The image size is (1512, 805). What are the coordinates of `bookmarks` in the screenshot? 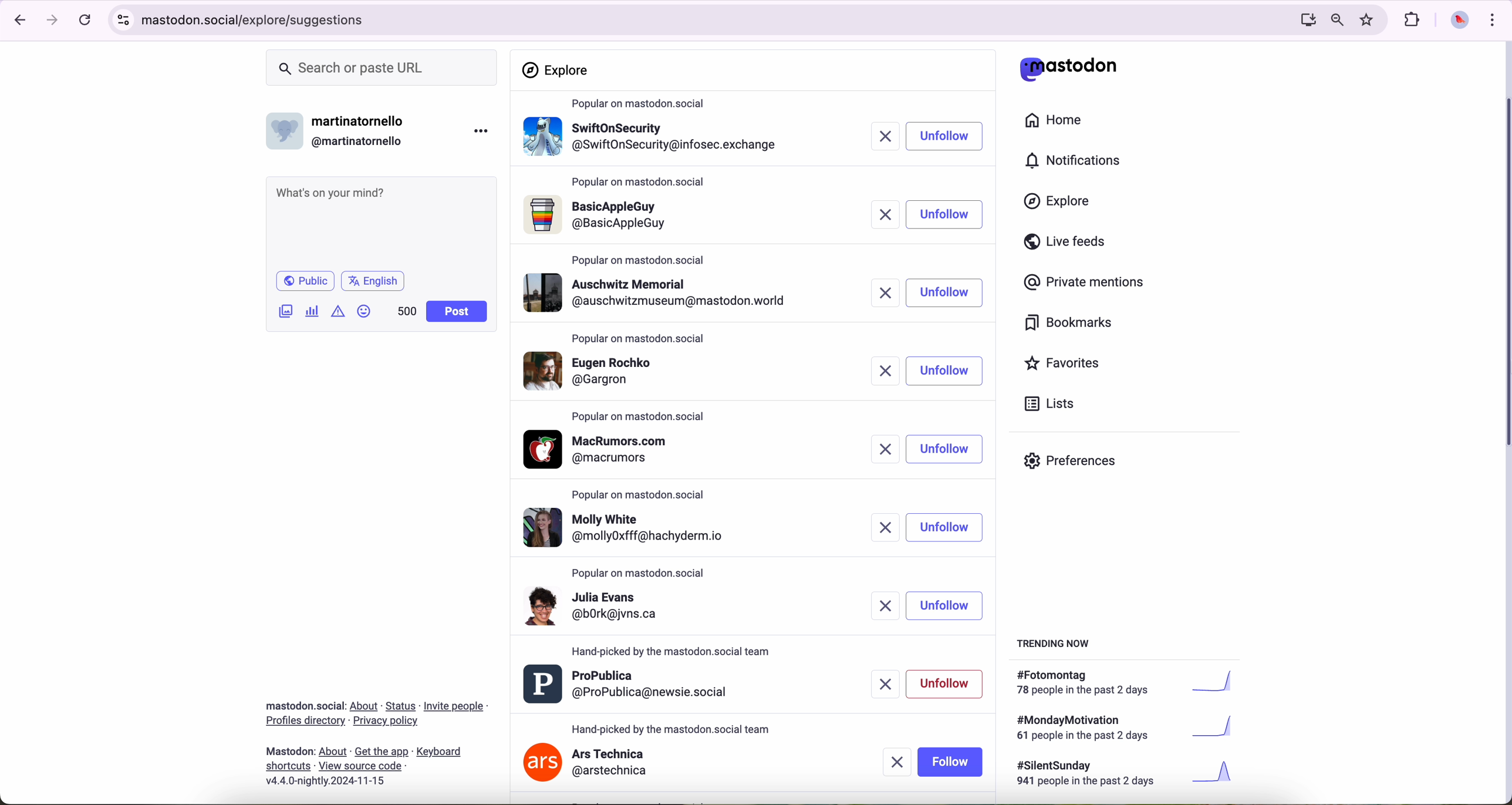 It's located at (1069, 325).